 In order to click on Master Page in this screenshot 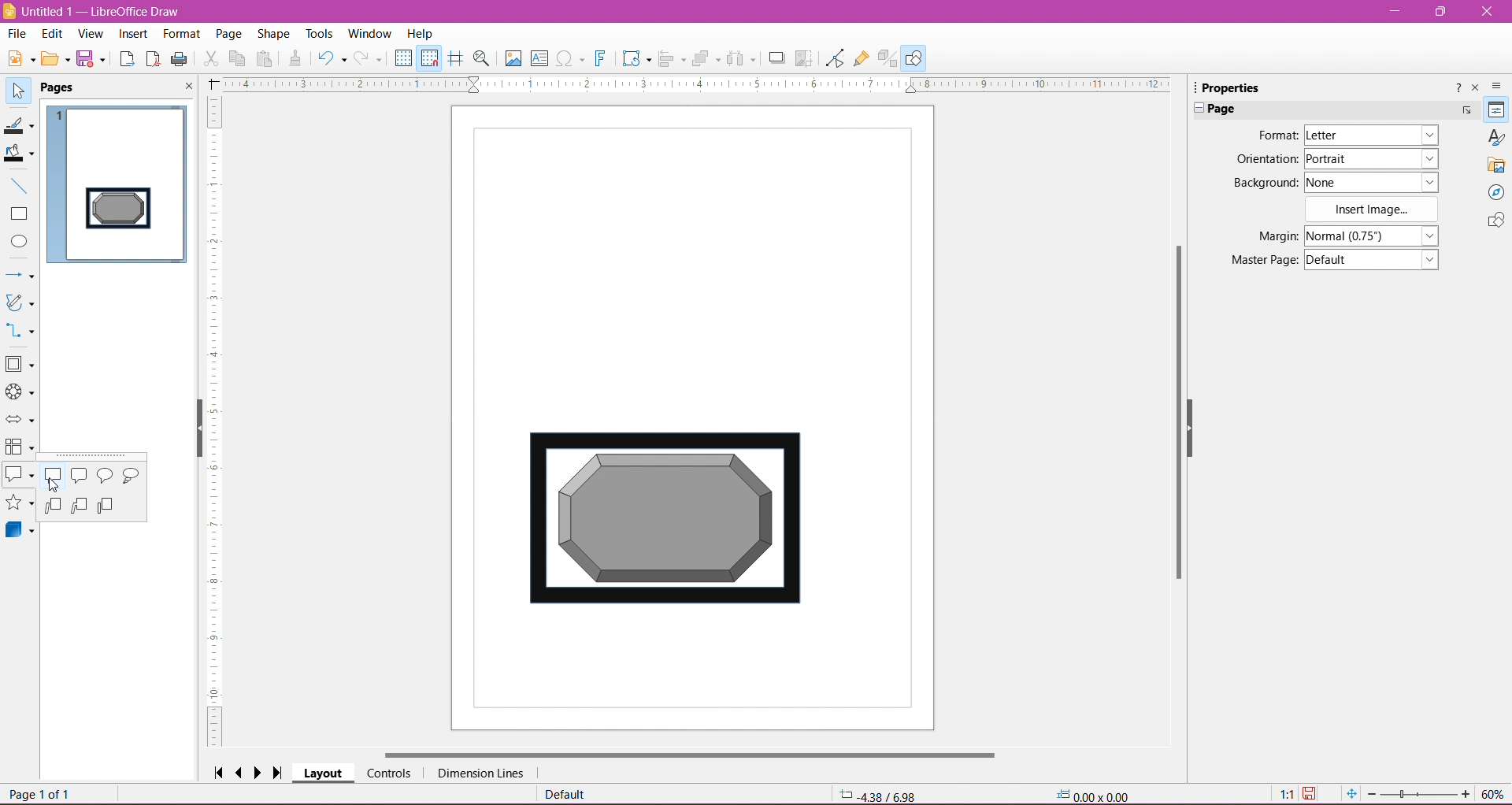, I will do `click(1259, 261)`.